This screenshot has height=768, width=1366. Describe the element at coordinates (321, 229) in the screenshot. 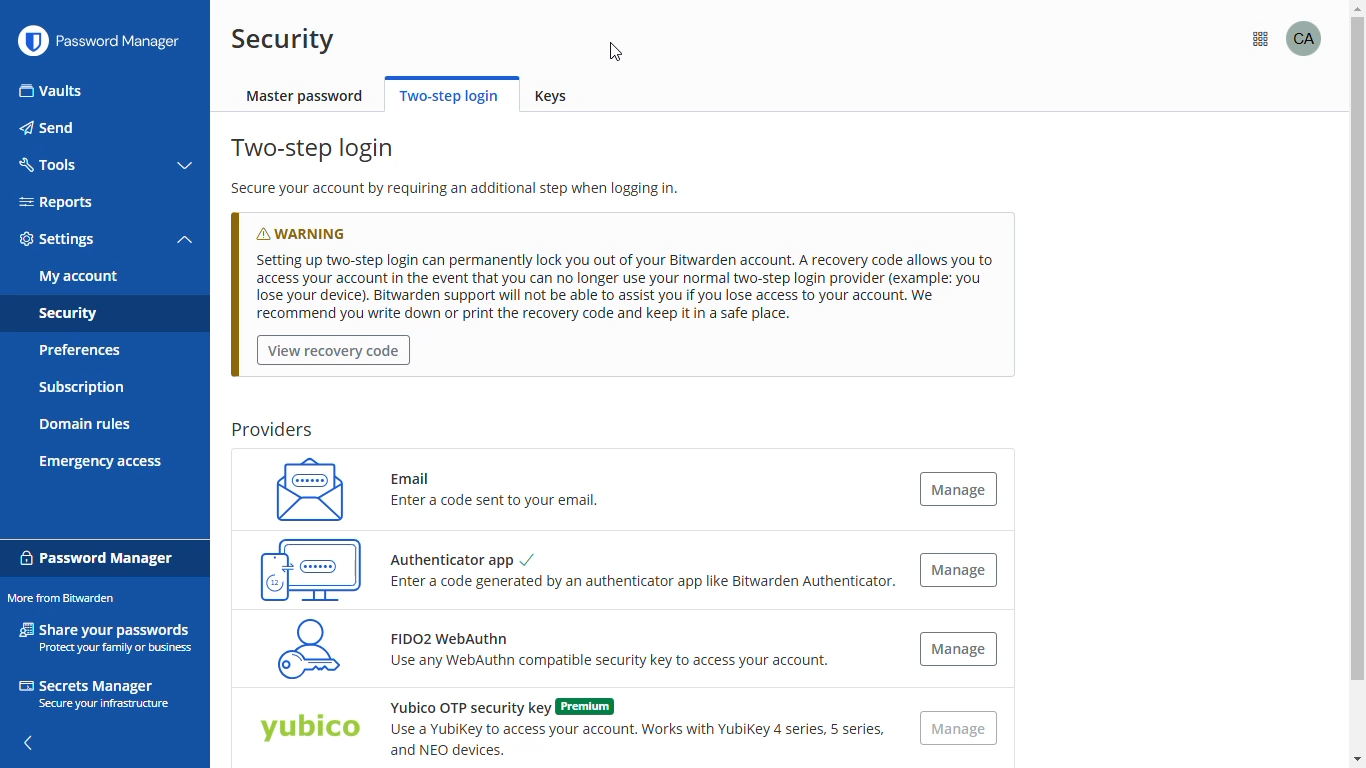

I see `warning` at that location.